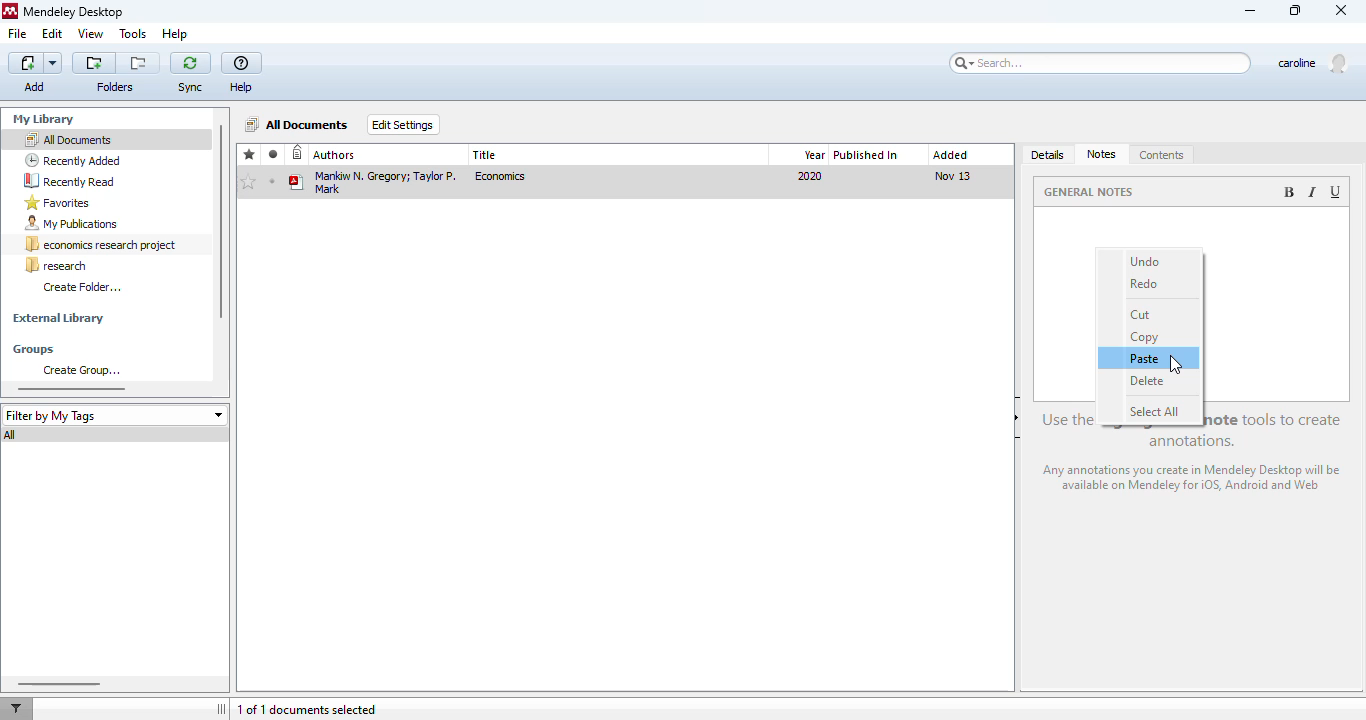 Image resolution: width=1366 pixels, height=720 pixels. What do you see at coordinates (272, 181) in the screenshot?
I see `unread` at bounding box center [272, 181].